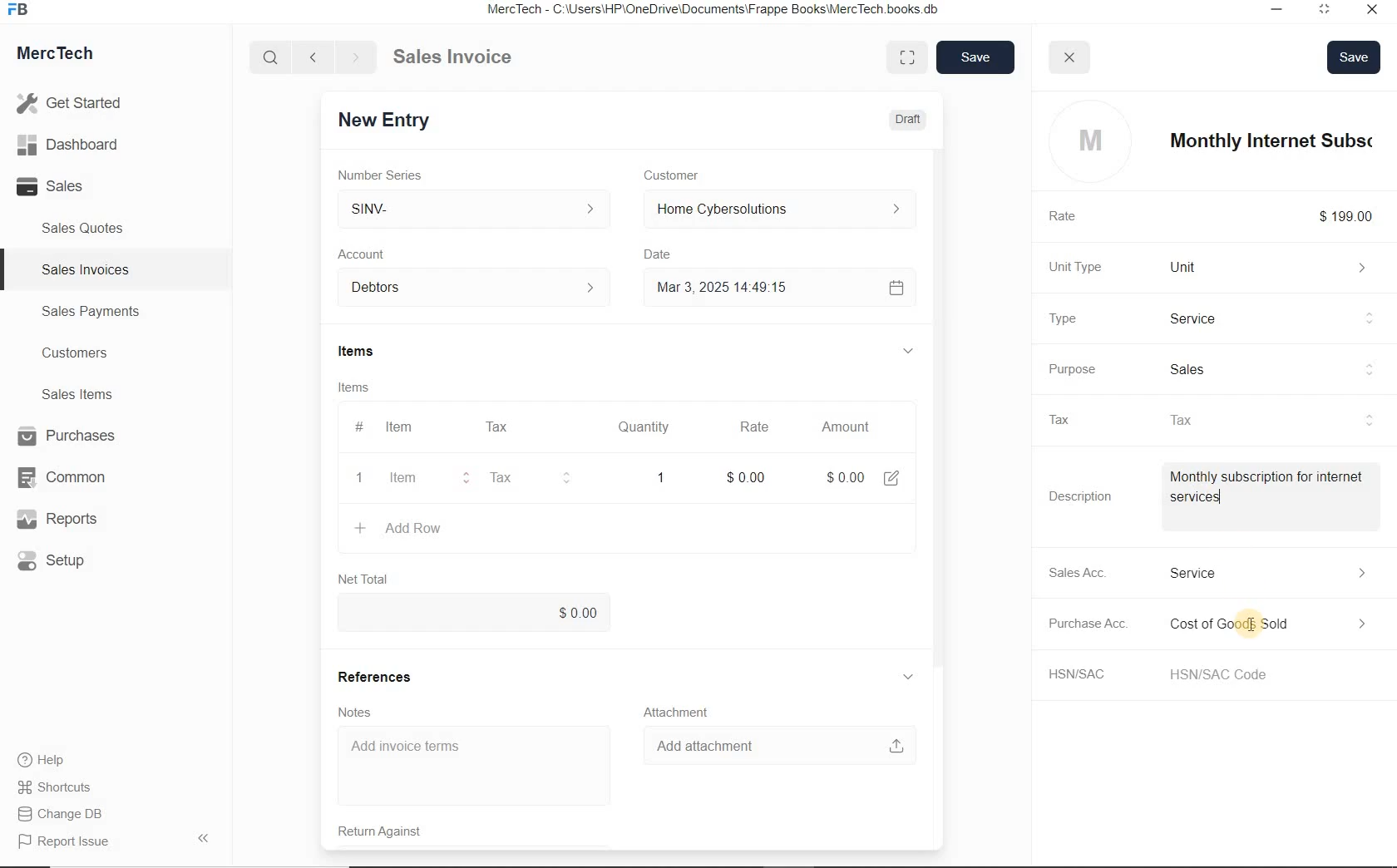 Image resolution: width=1397 pixels, height=868 pixels. What do you see at coordinates (1058, 419) in the screenshot?
I see `Tax` at bounding box center [1058, 419].